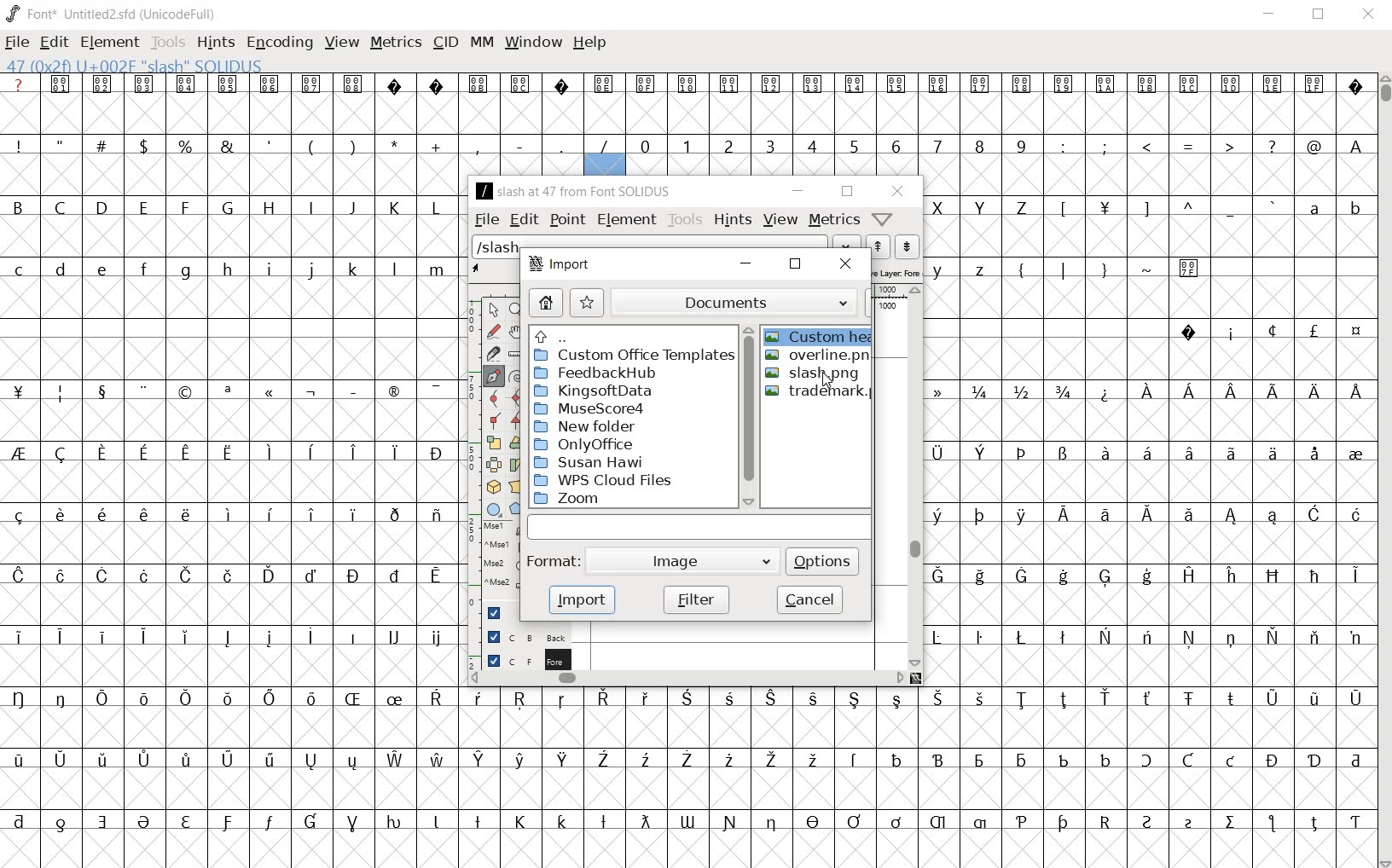 The image size is (1392, 868). I want to click on y z, so click(963, 269).